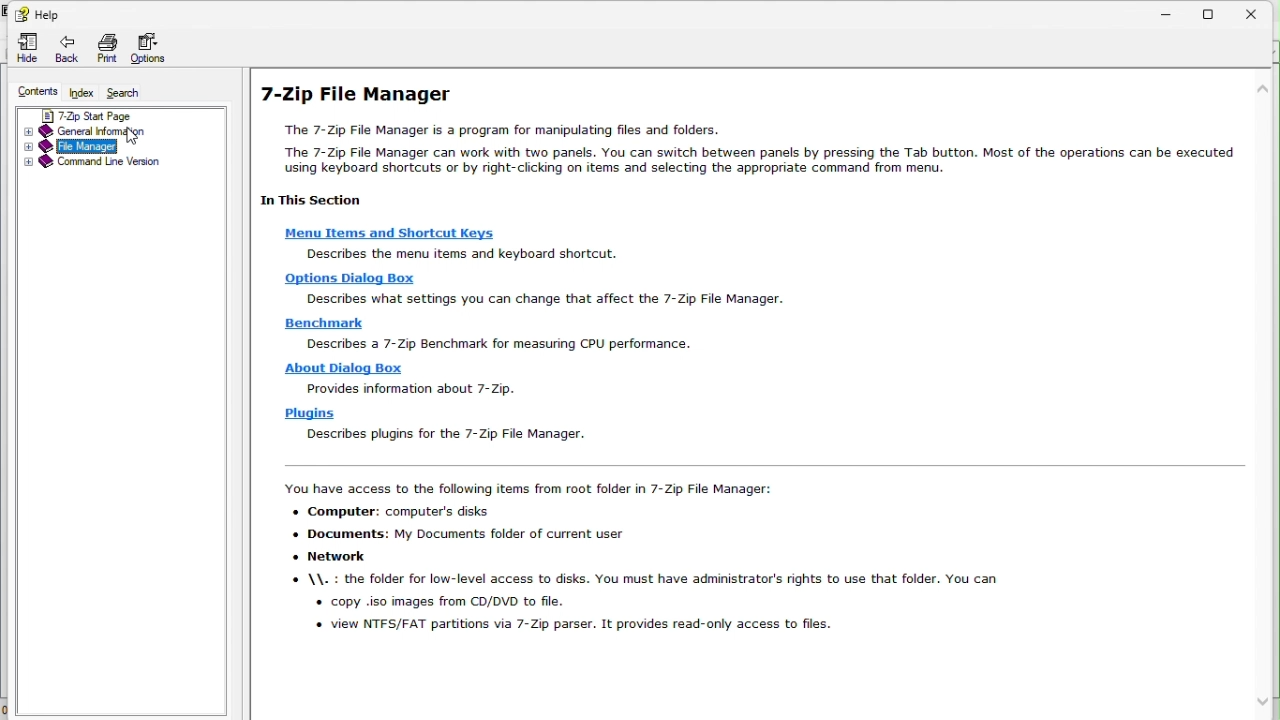 The height and width of the screenshot is (720, 1280). I want to click on Back, so click(63, 47).